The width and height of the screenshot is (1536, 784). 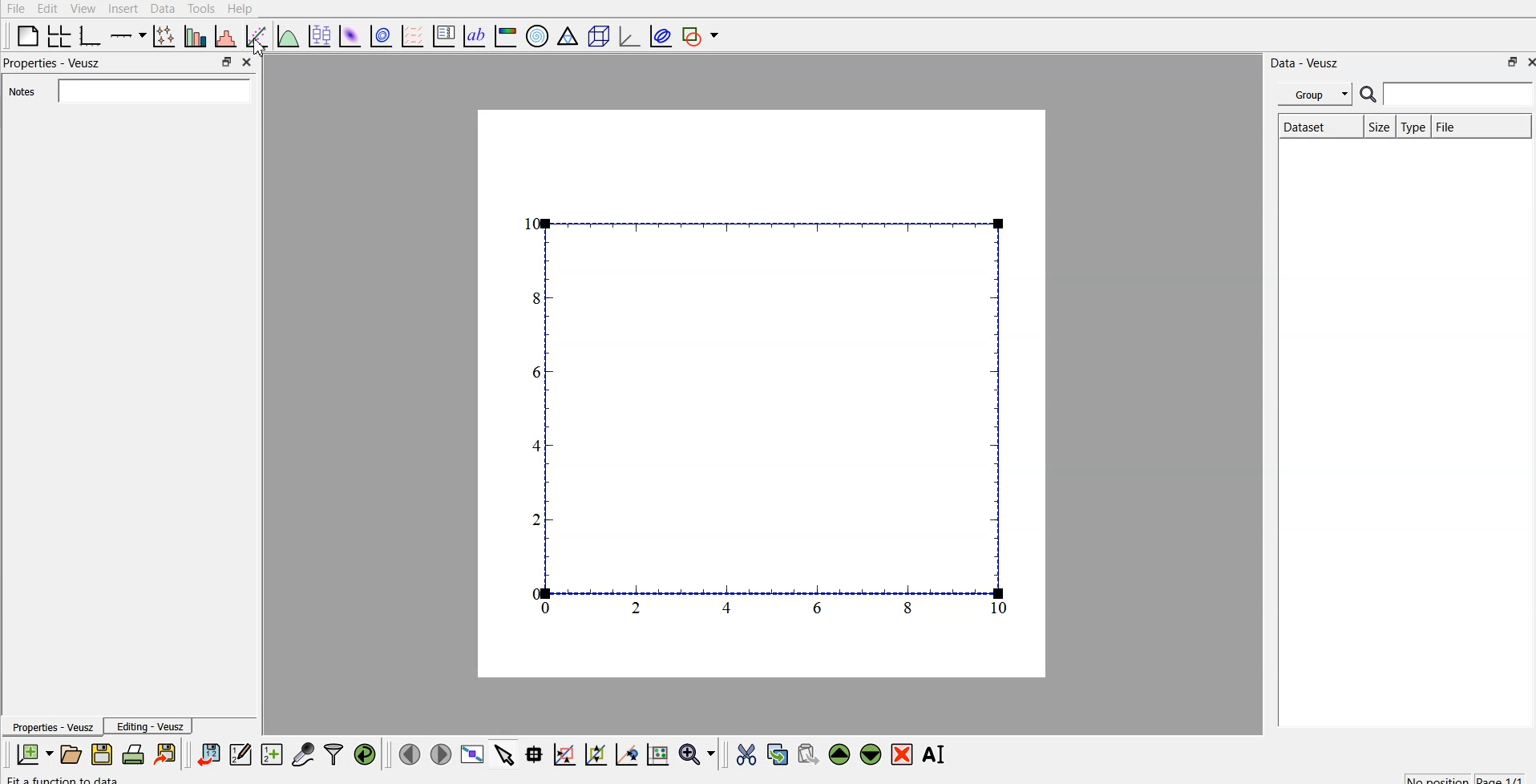 What do you see at coordinates (27, 34) in the screenshot?
I see `blank page` at bounding box center [27, 34].